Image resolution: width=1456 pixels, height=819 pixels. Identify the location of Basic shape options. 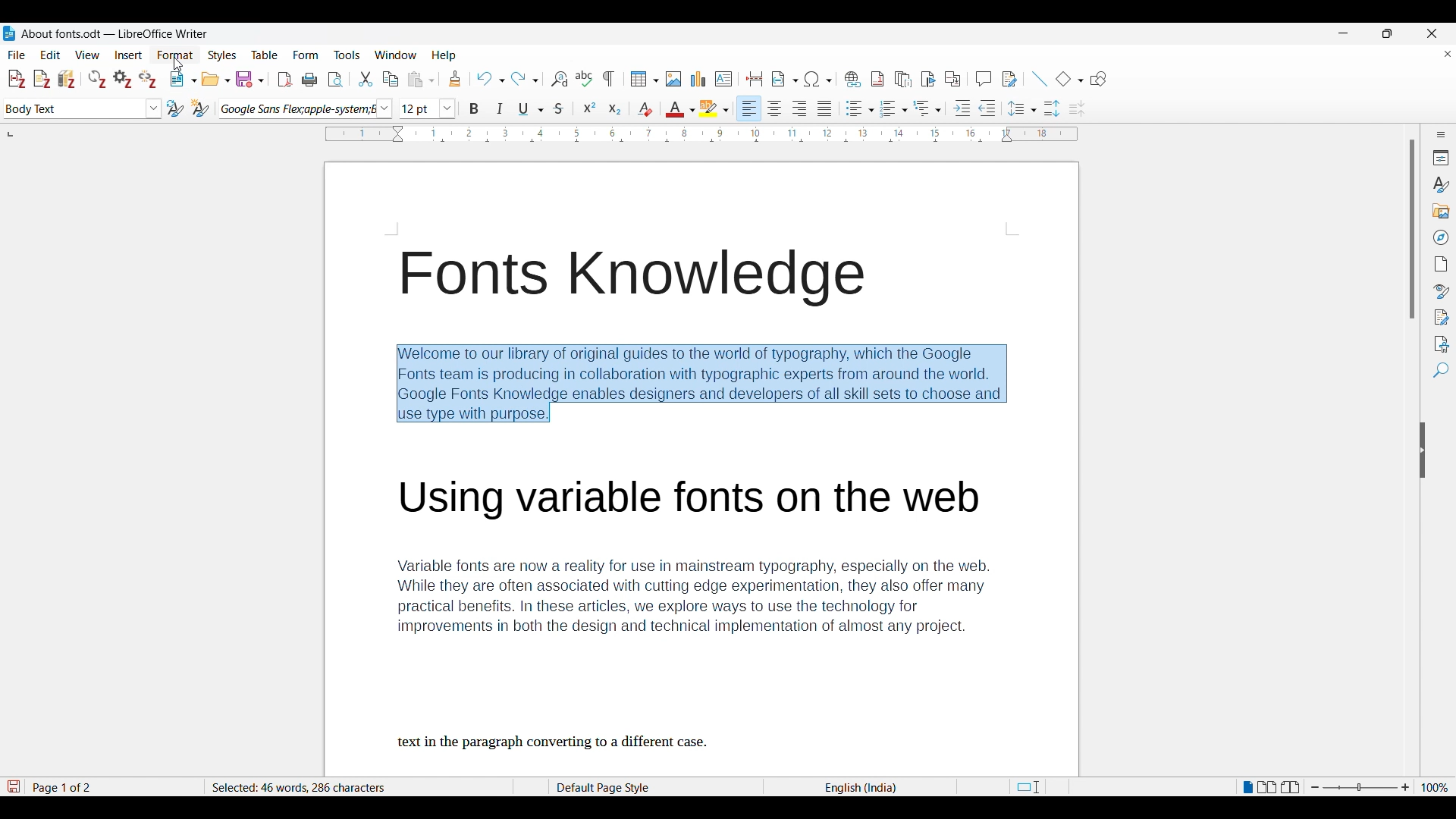
(1069, 79).